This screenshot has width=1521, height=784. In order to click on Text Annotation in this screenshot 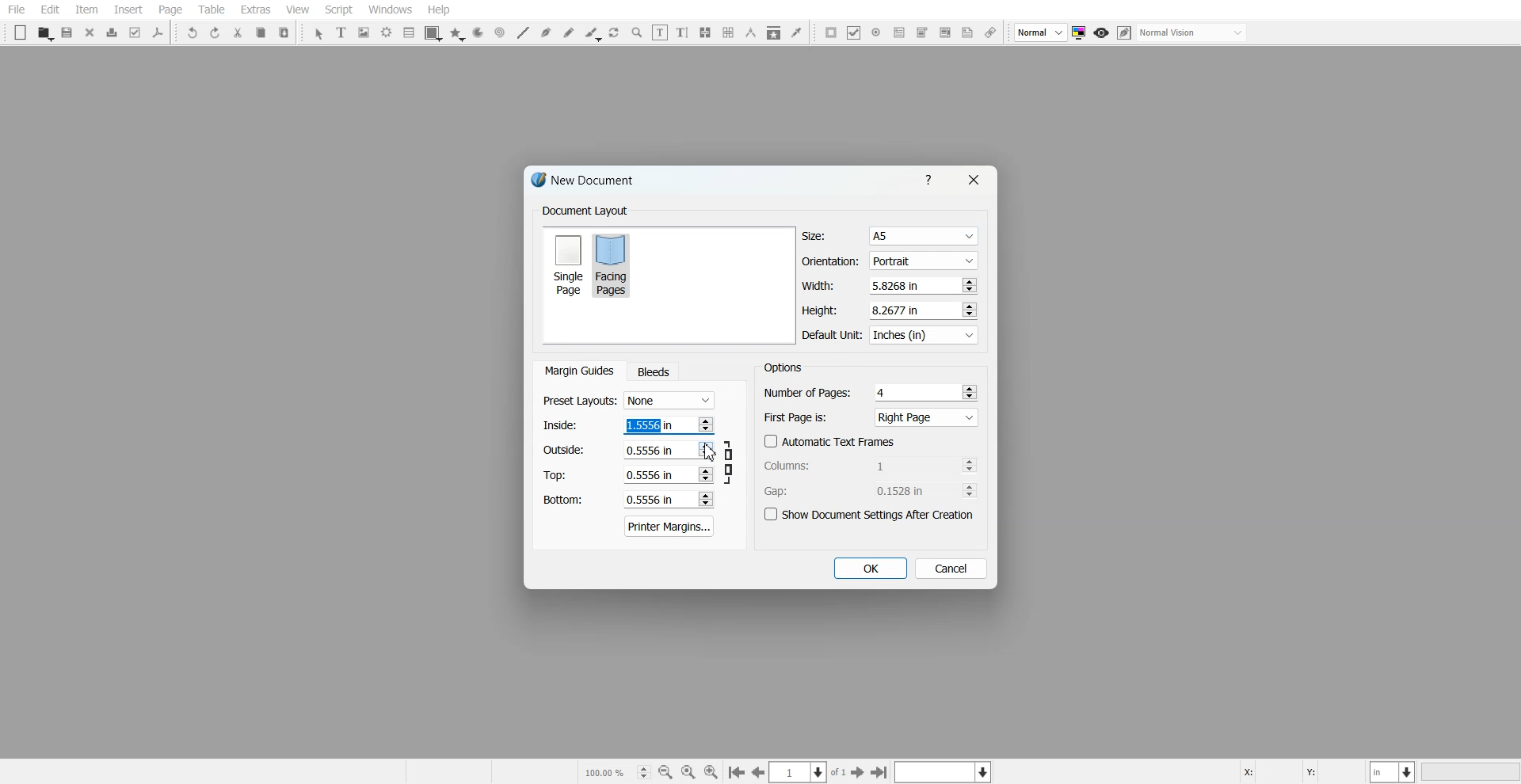, I will do `click(967, 33)`.